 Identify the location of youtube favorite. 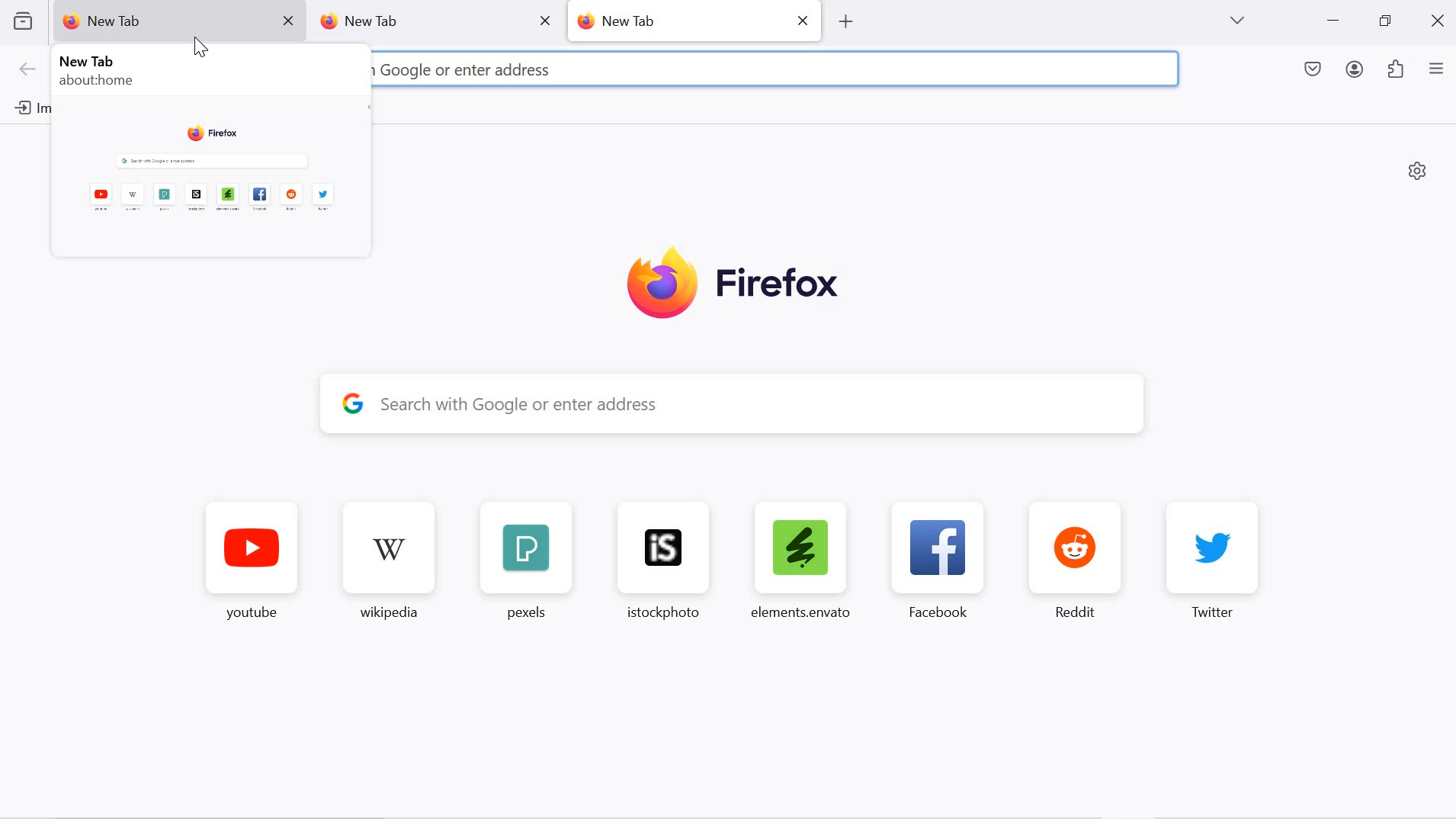
(252, 564).